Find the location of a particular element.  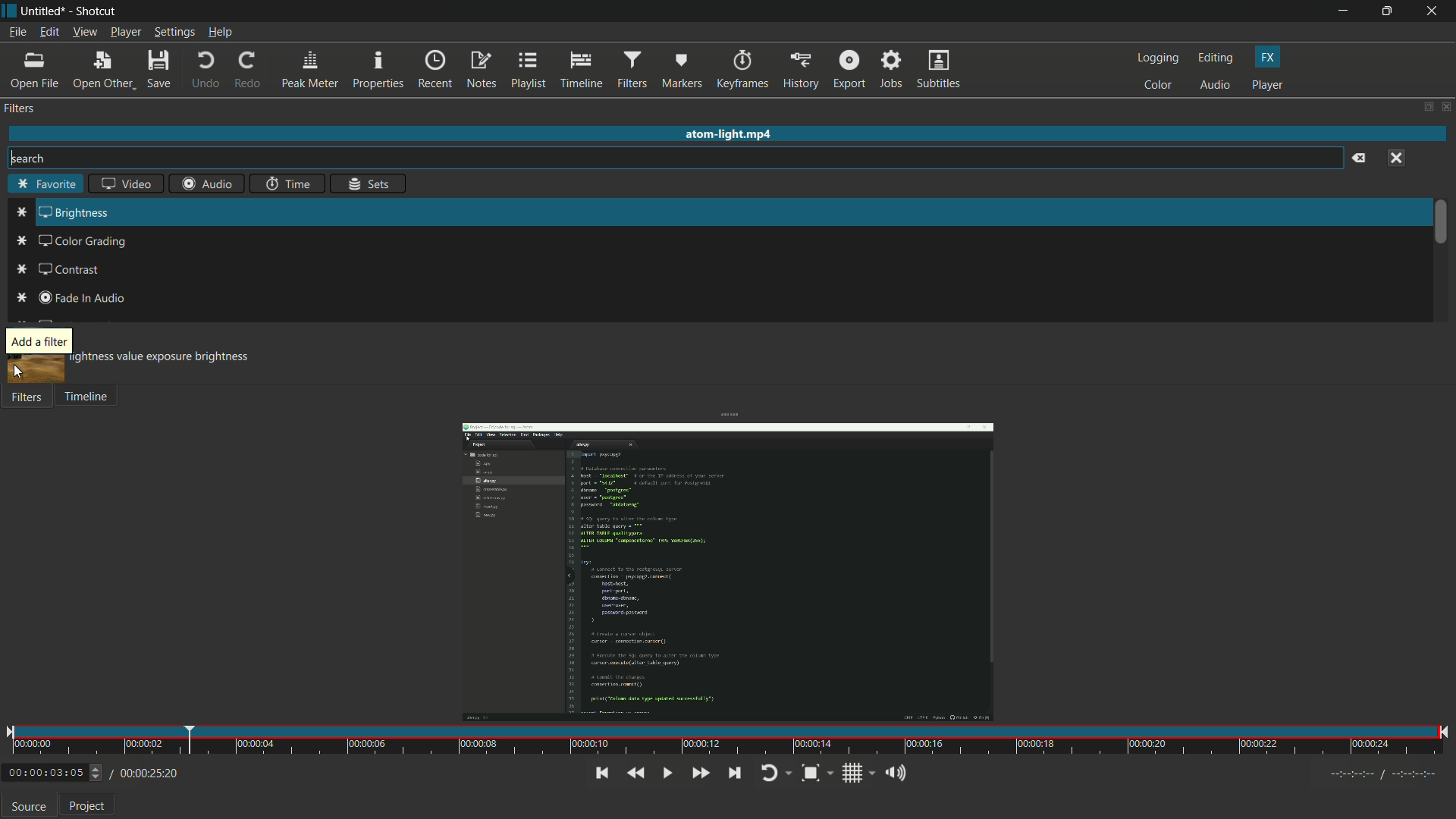

fade in audio is located at coordinates (81, 298).